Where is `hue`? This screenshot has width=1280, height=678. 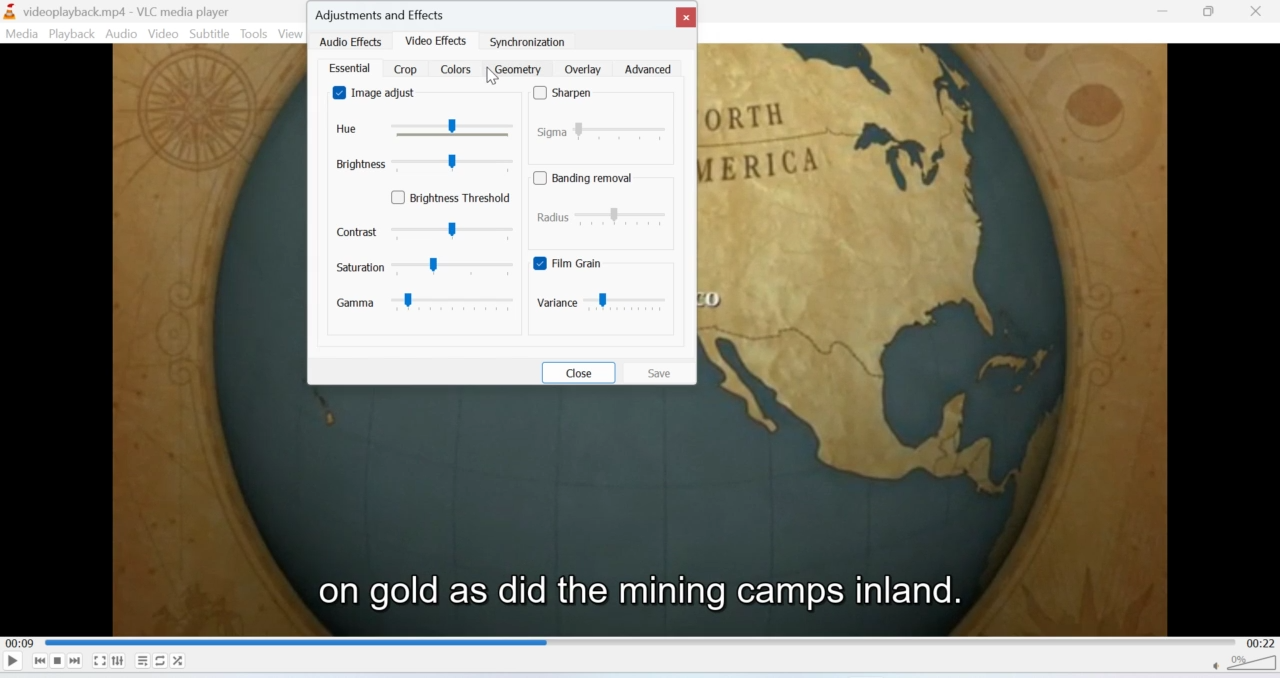
hue is located at coordinates (427, 128).